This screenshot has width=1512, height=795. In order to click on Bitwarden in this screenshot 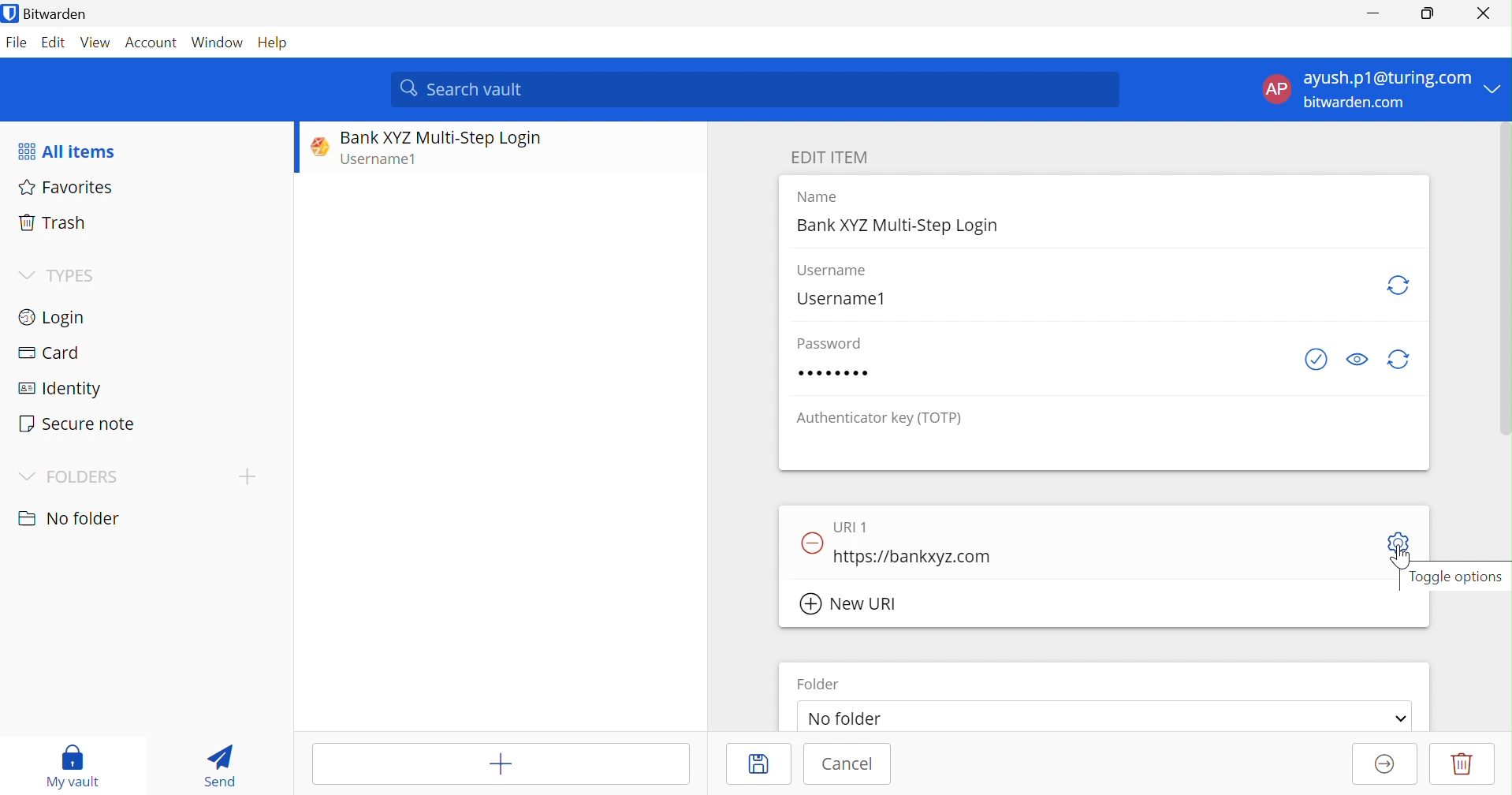, I will do `click(49, 15)`.